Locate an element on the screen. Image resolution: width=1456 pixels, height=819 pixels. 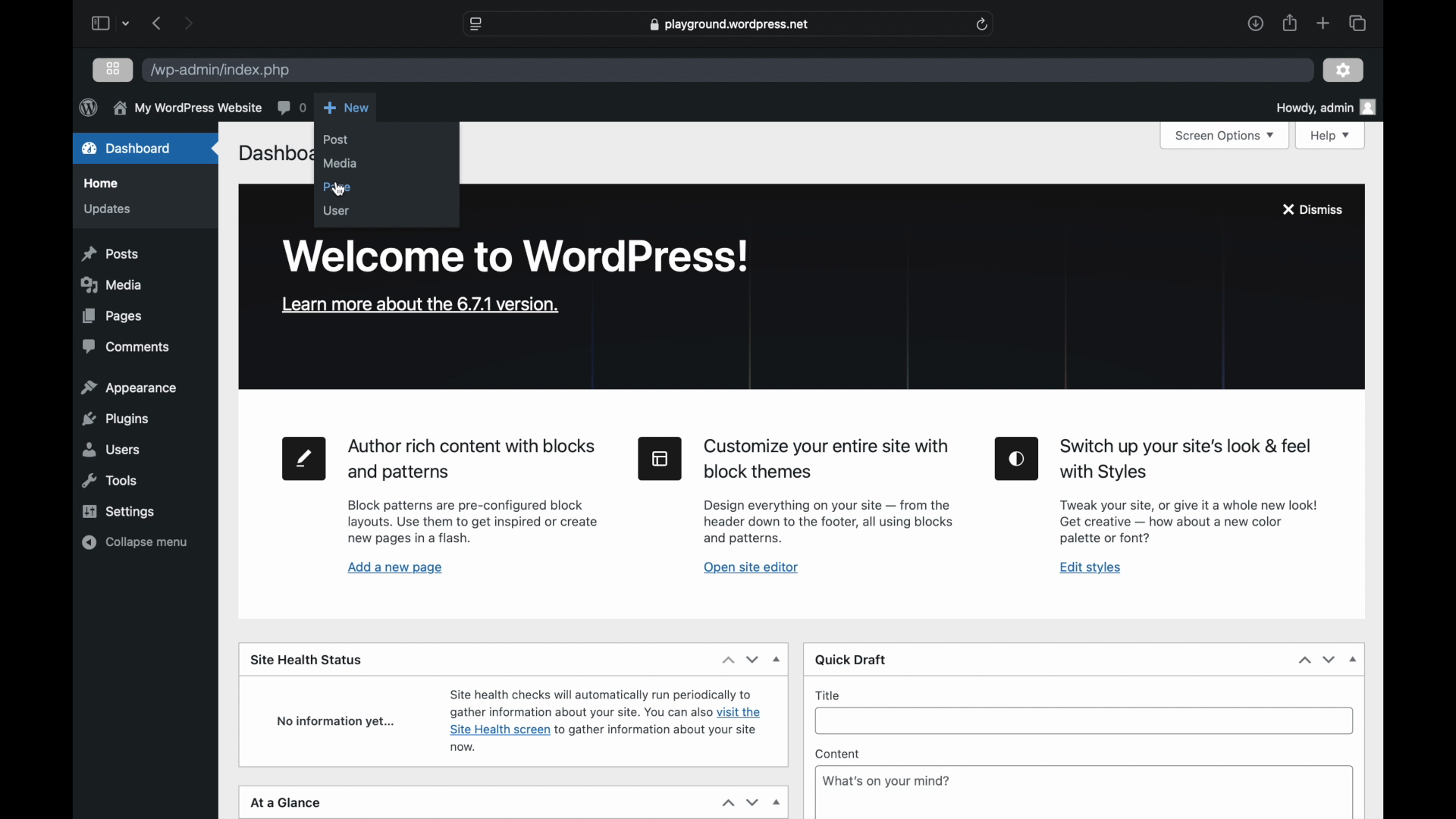
at a glance is located at coordinates (288, 802).